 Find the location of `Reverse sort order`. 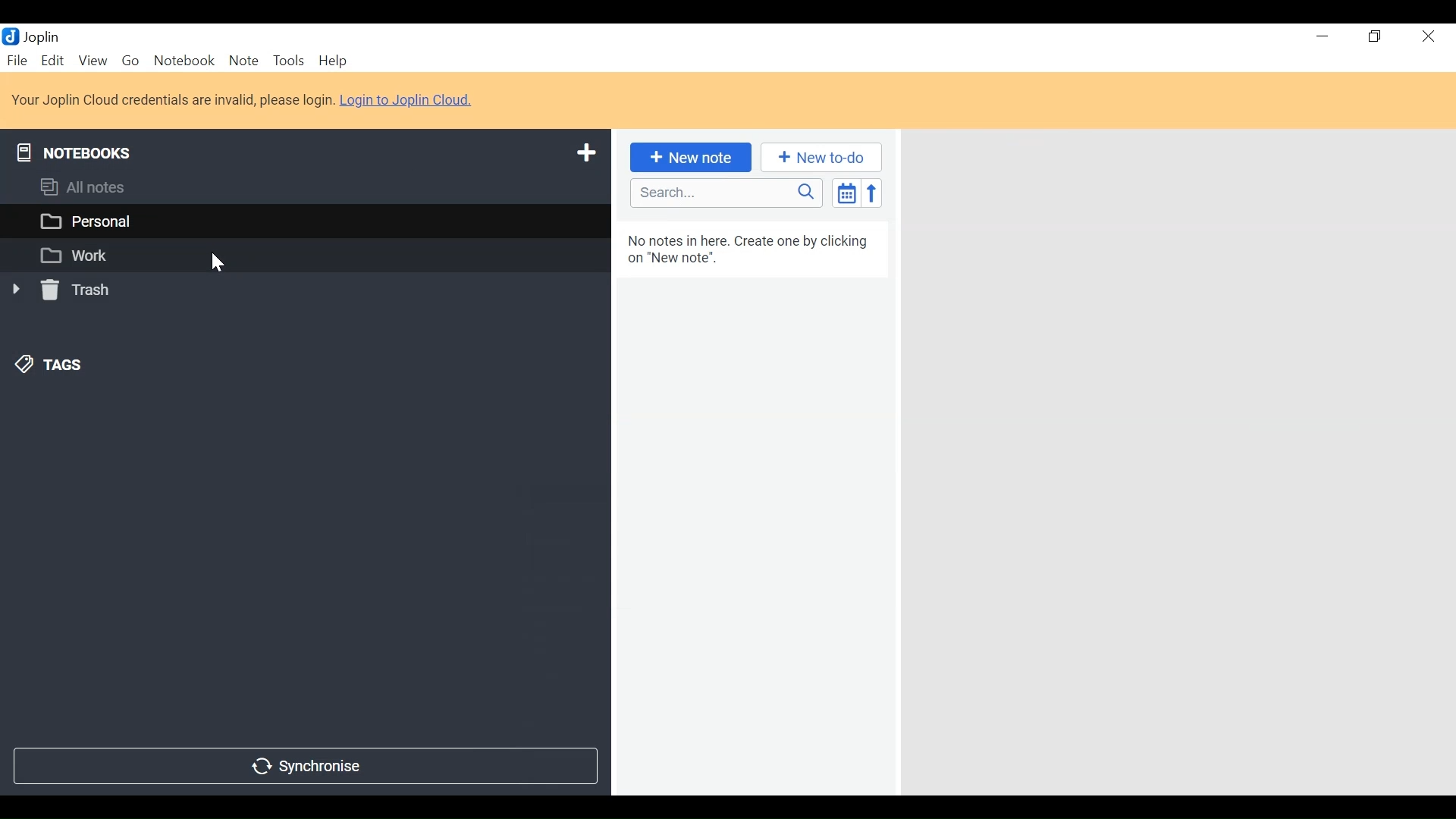

Reverse sort order is located at coordinates (871, 193).